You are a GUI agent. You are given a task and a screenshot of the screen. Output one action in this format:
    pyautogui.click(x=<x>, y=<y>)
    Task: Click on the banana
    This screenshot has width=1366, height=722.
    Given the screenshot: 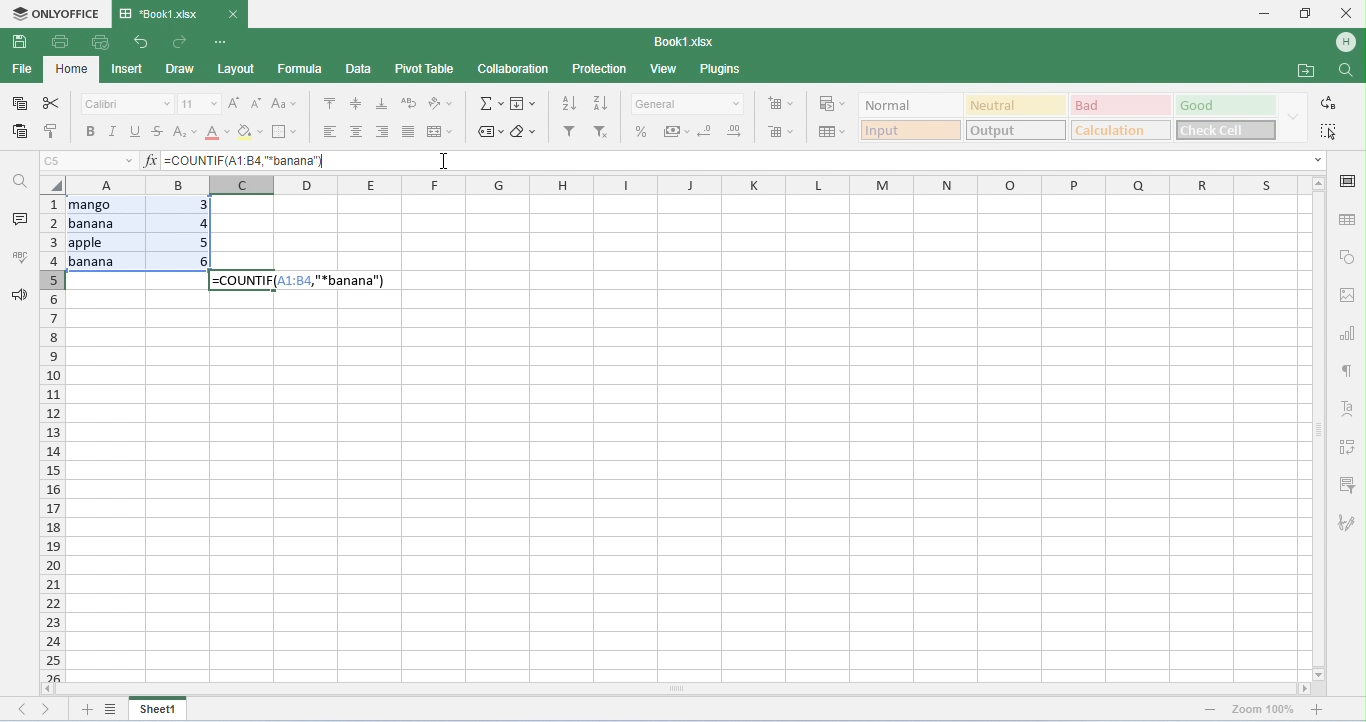 What is the action you would take?
    pyautogui.click(x=104, y=261)
    